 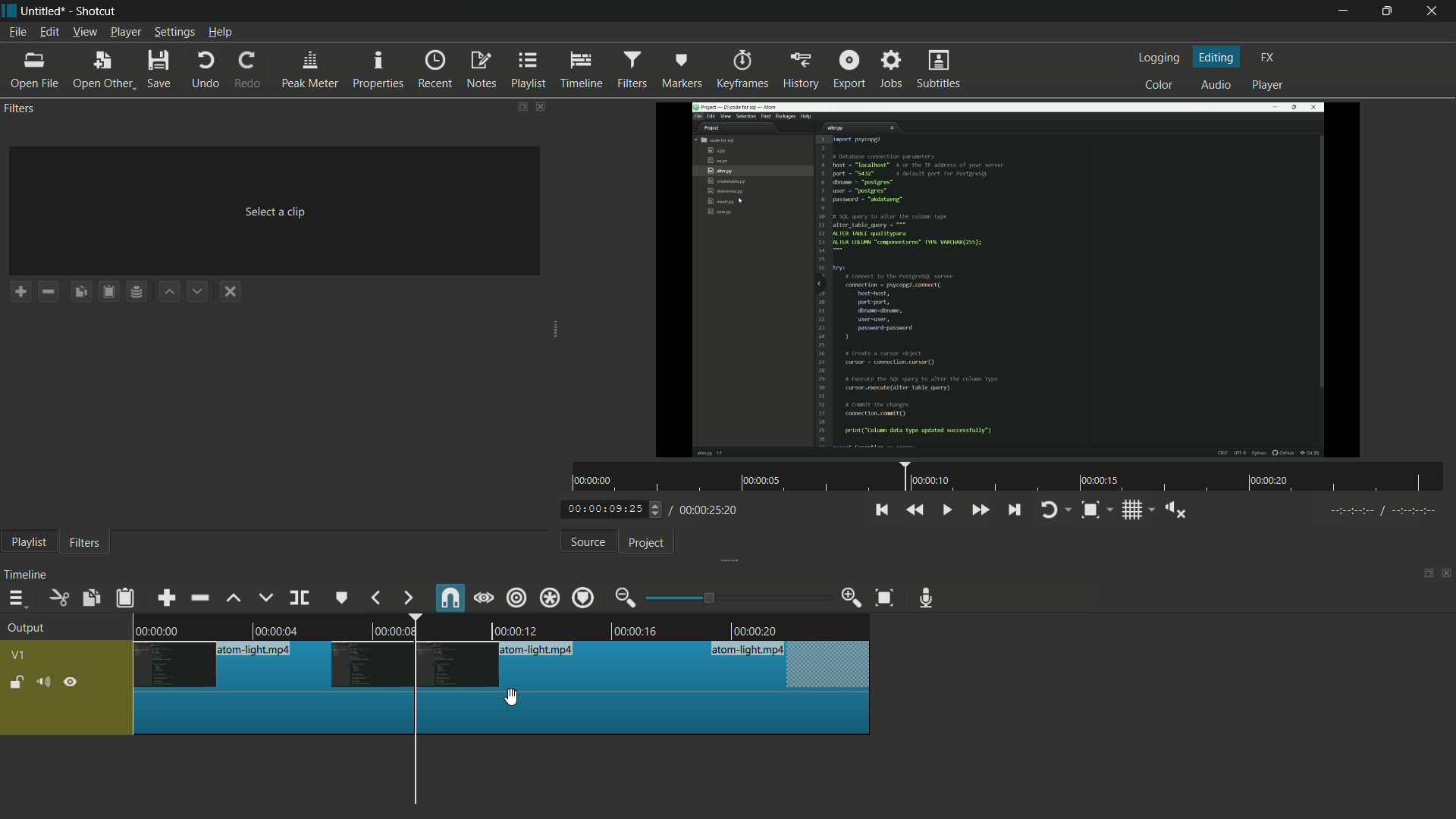 I want to click on app icon, so click(x=9, y=11).